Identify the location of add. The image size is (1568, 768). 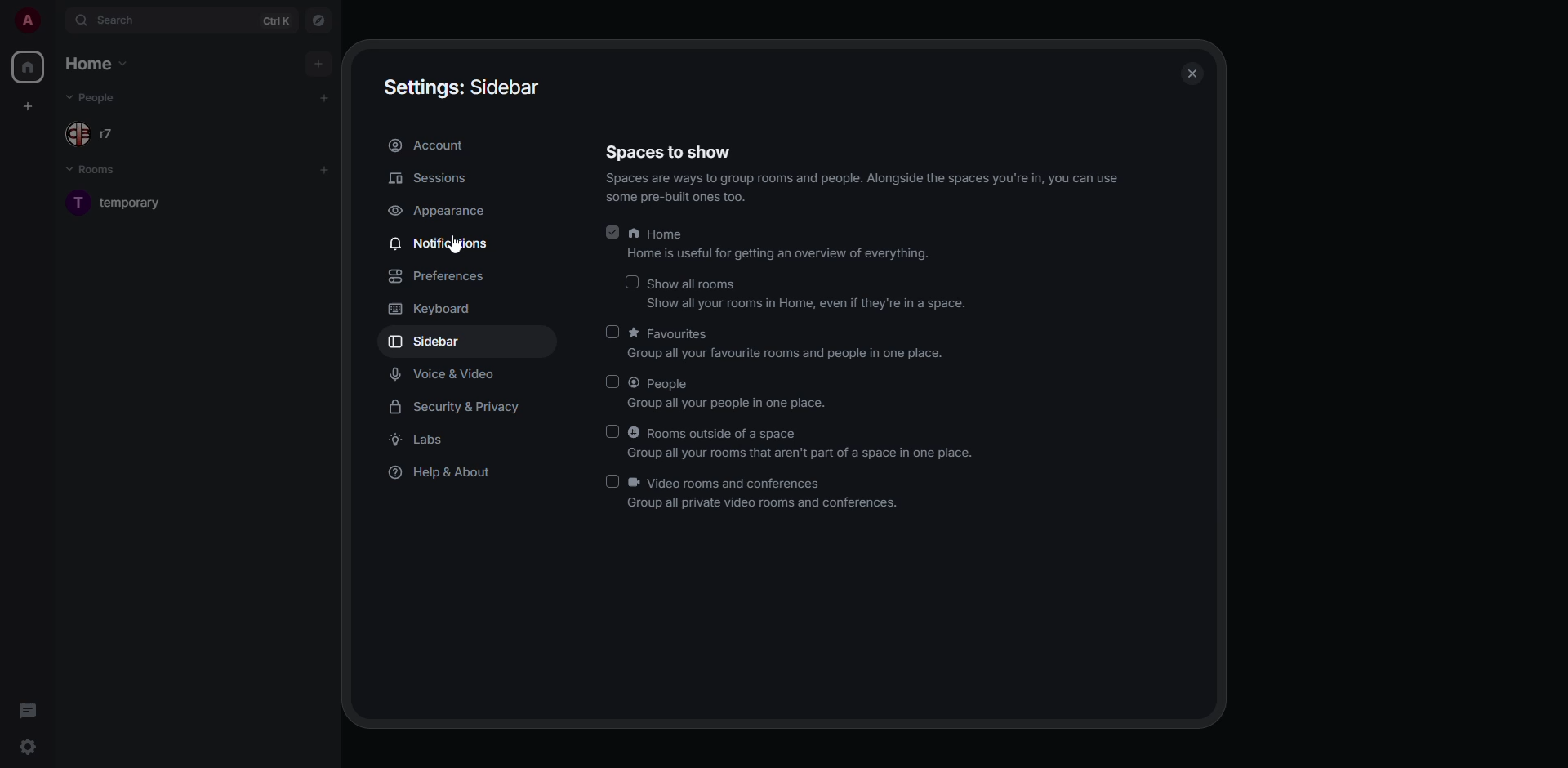
(323, 170).